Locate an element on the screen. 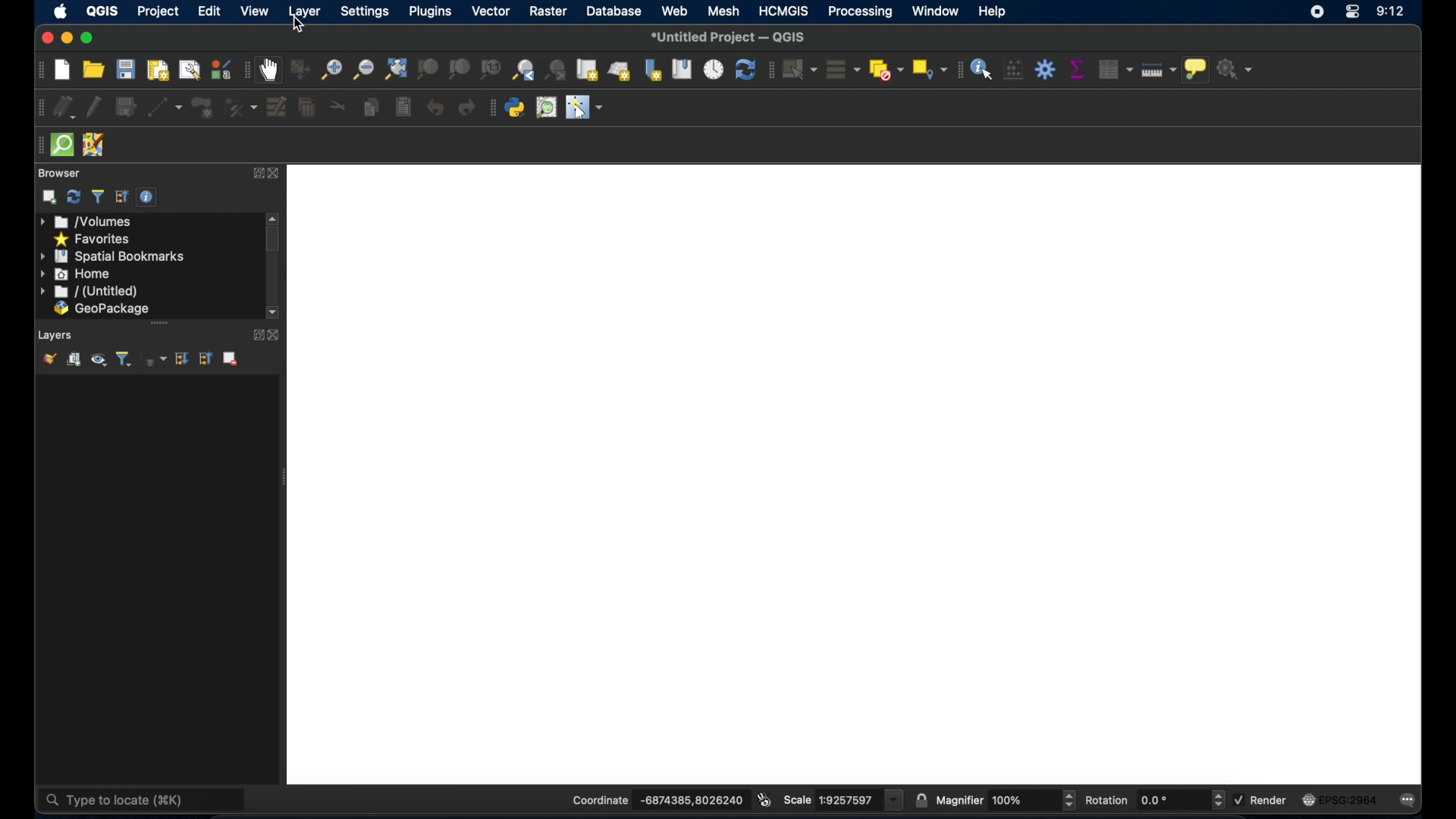  settings is located at coordinates (363, 11).